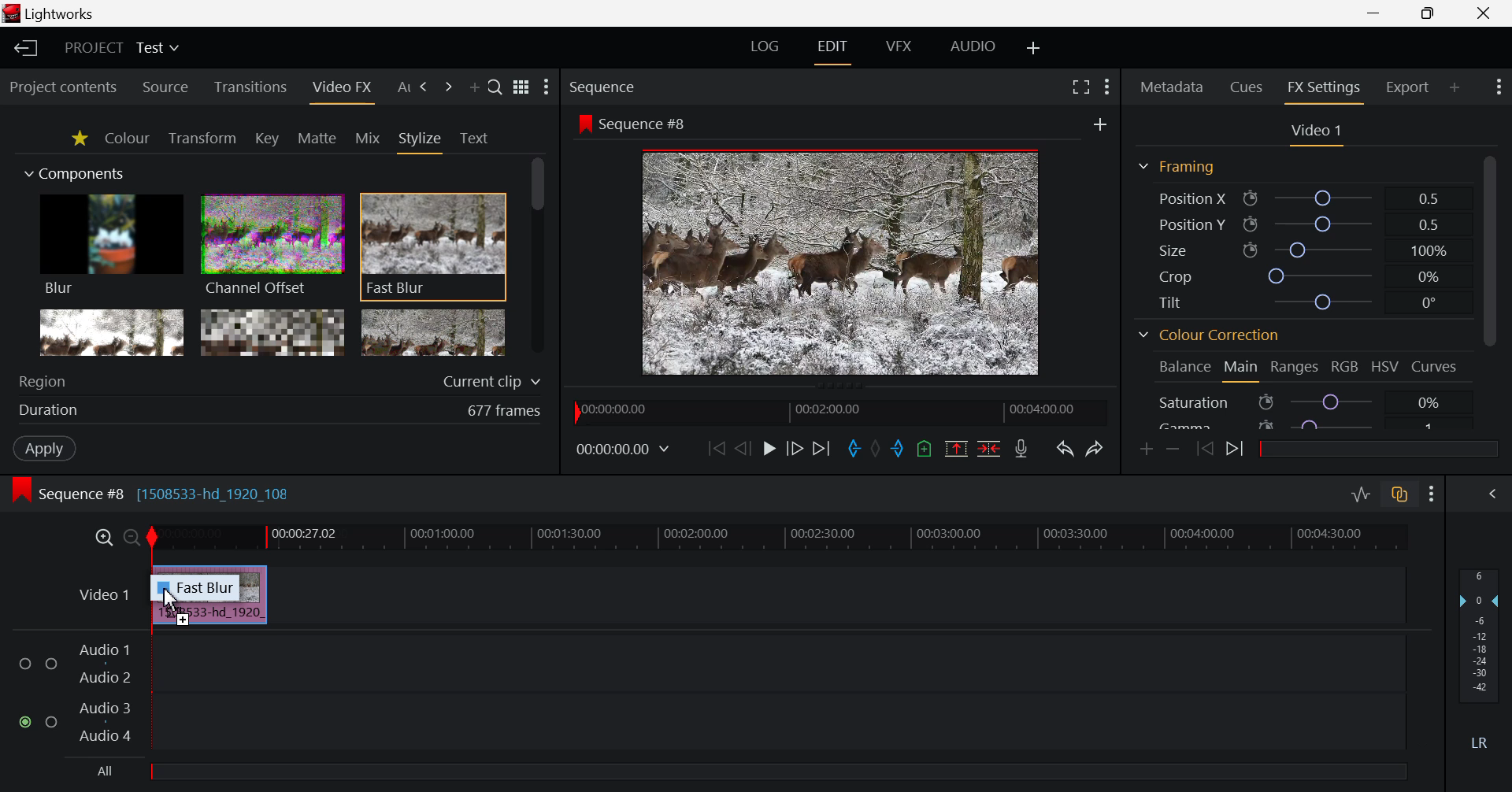  I want to click on Favorites, so click(80, 139).